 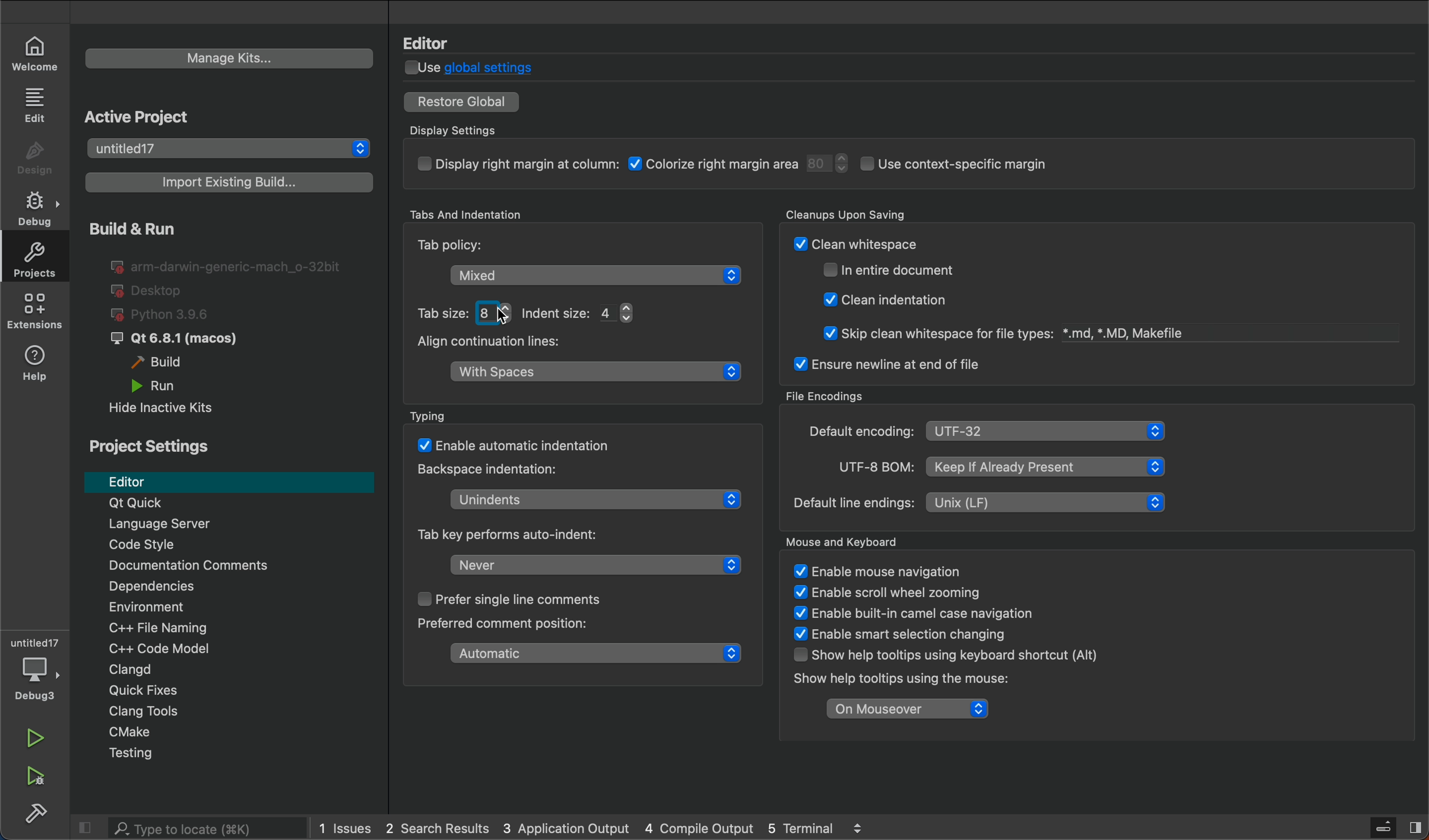 What do you see at coordinates (157, 387) in the screenshot?
I see `run` at bounding box center [157, 387].